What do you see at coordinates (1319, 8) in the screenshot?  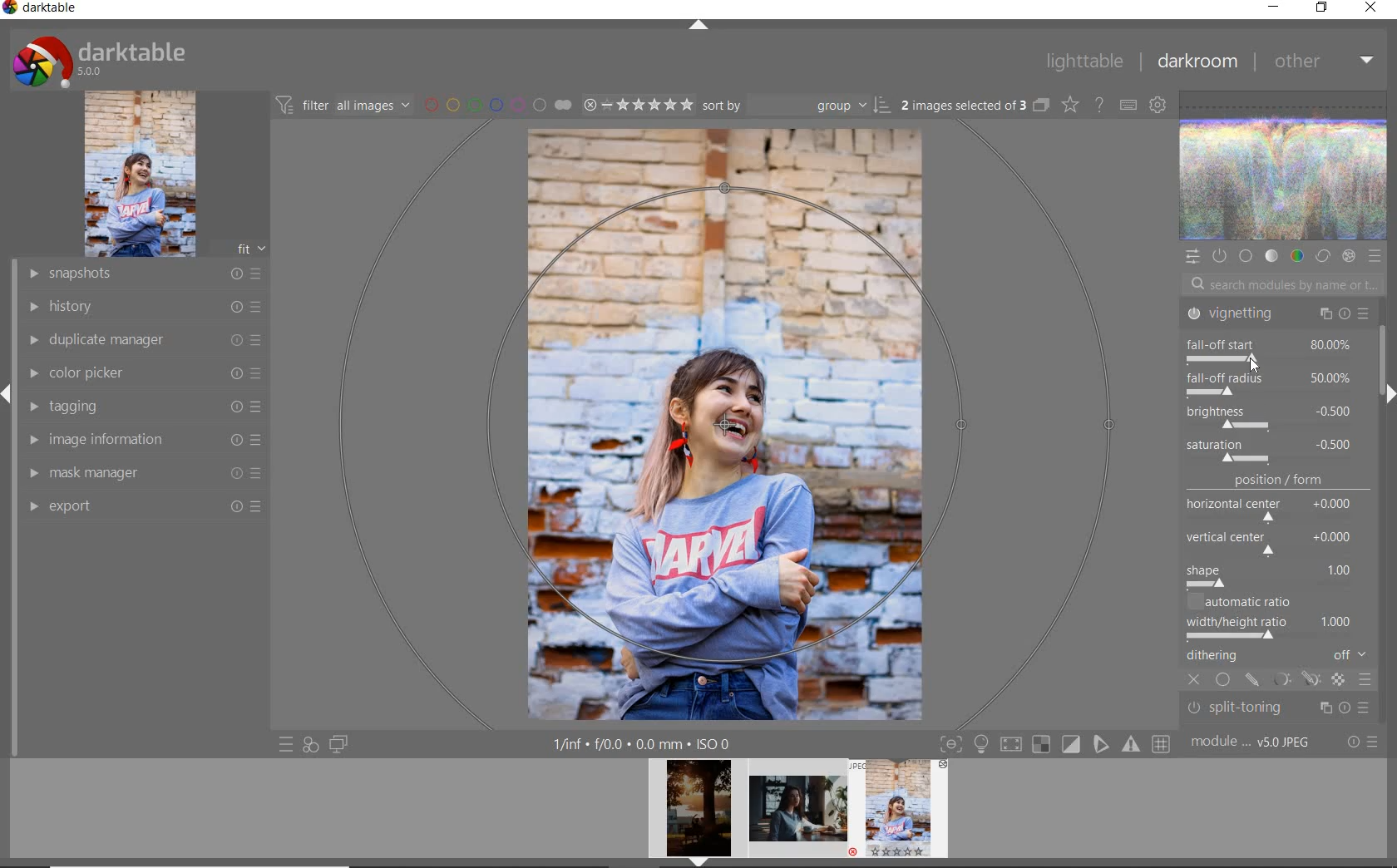 I see `RSTORE` at bounding box center [1319, 8].